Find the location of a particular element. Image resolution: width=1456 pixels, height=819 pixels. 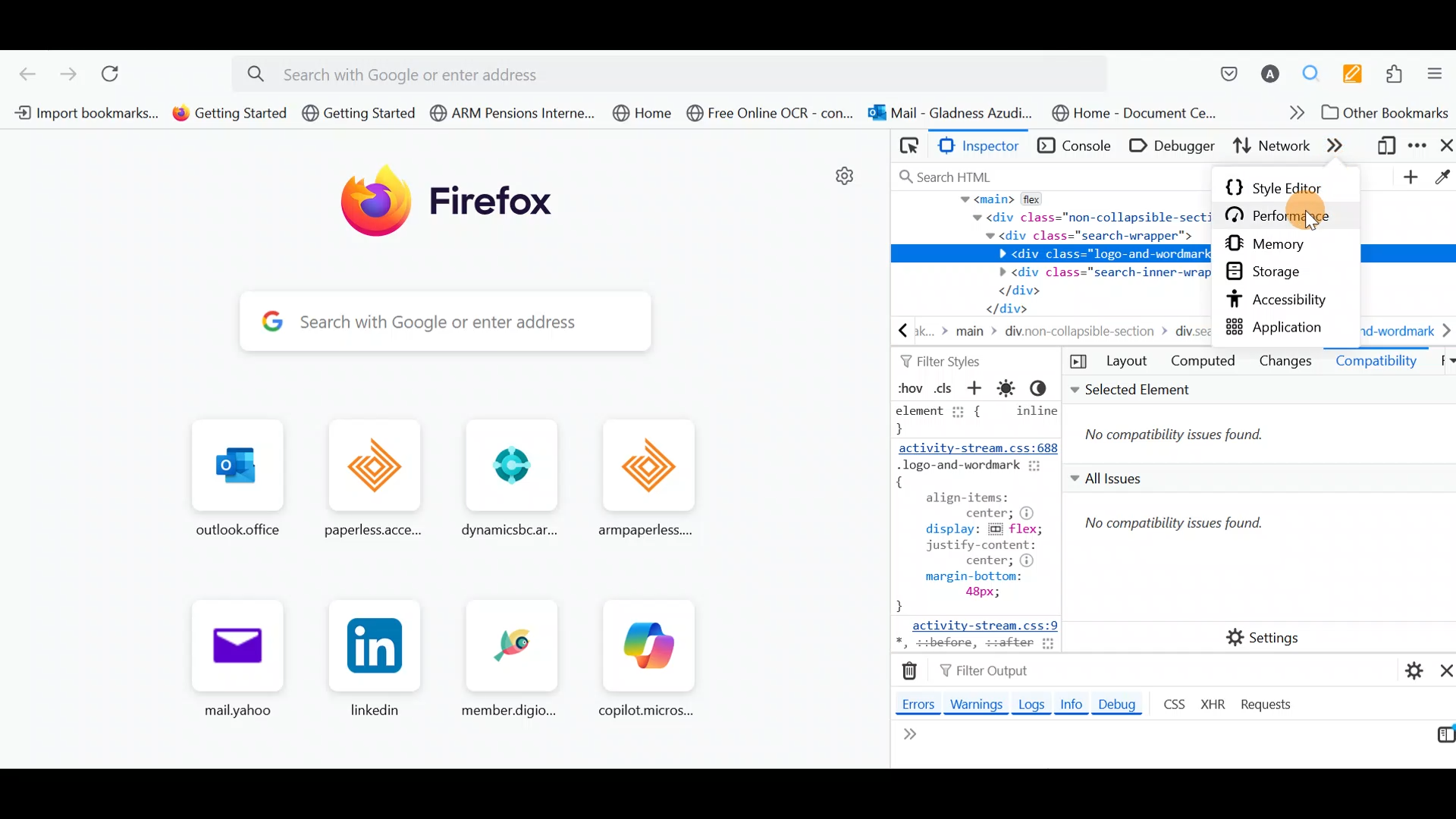

Requests is located at coordinates (1268, 705).